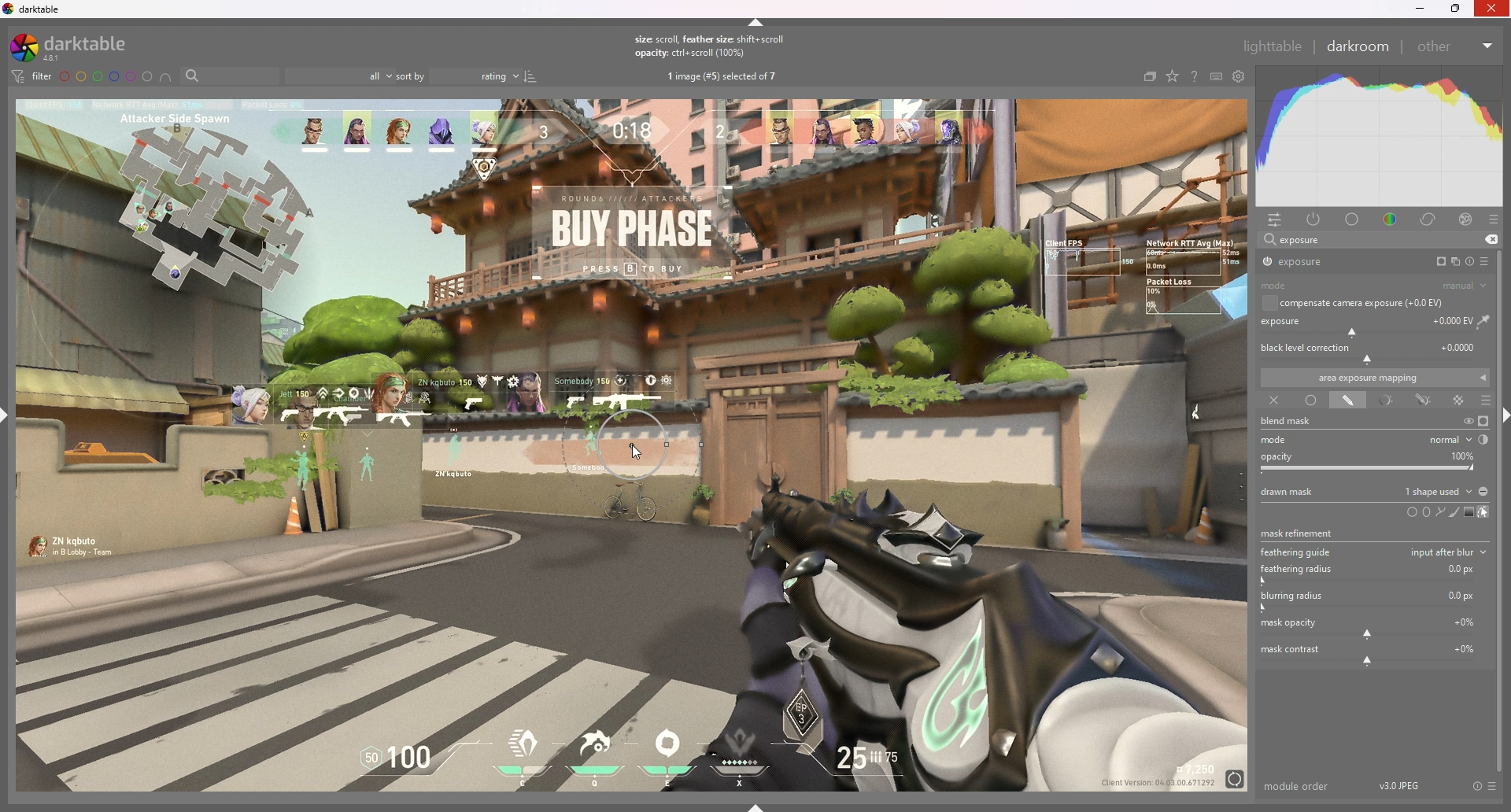 This screenshot has width=1511, height=812. Describe the element at coordinates (1411, 539) in the screenshot. I see `tooltip` at that location.